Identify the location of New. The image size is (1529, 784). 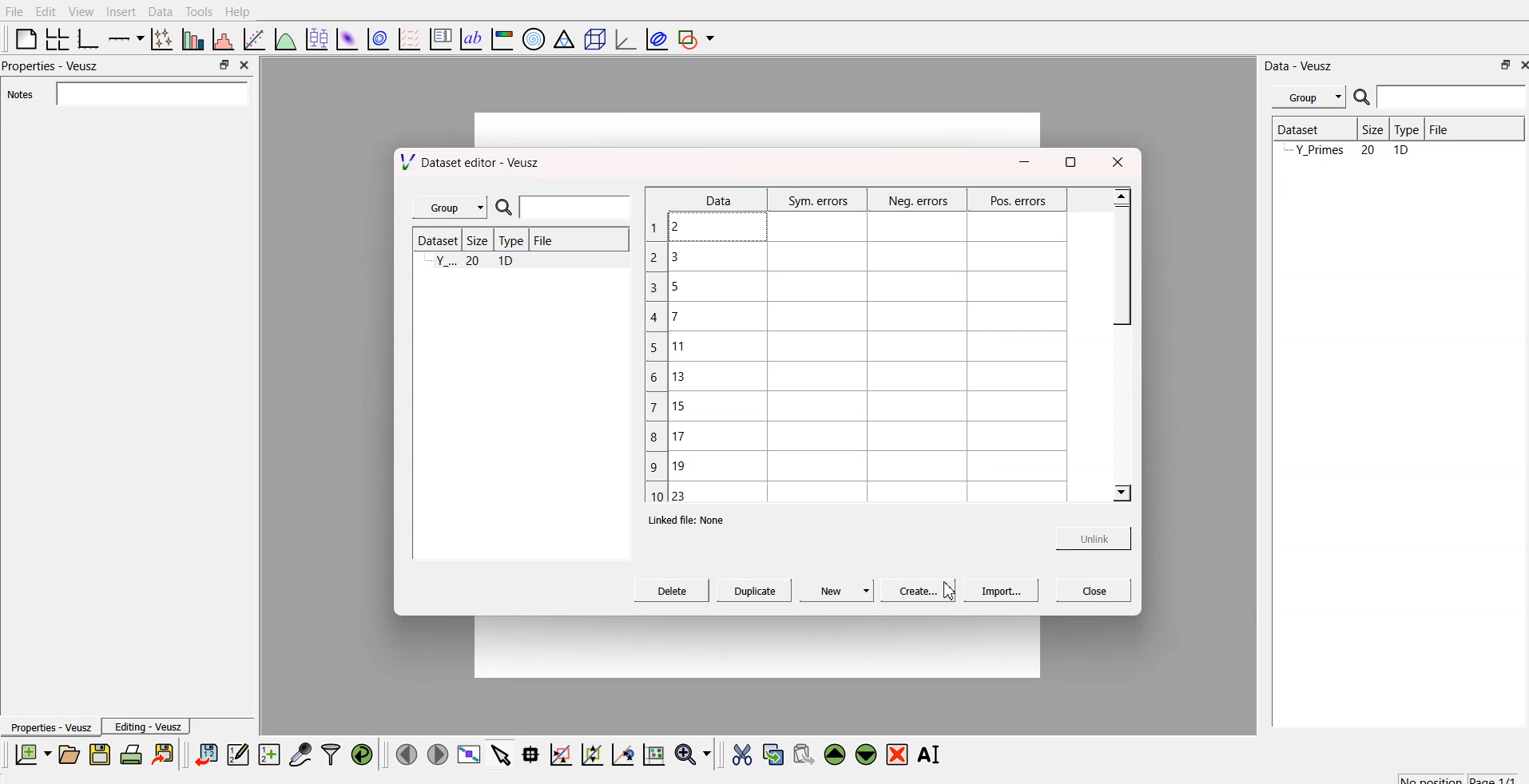
(836, 592).